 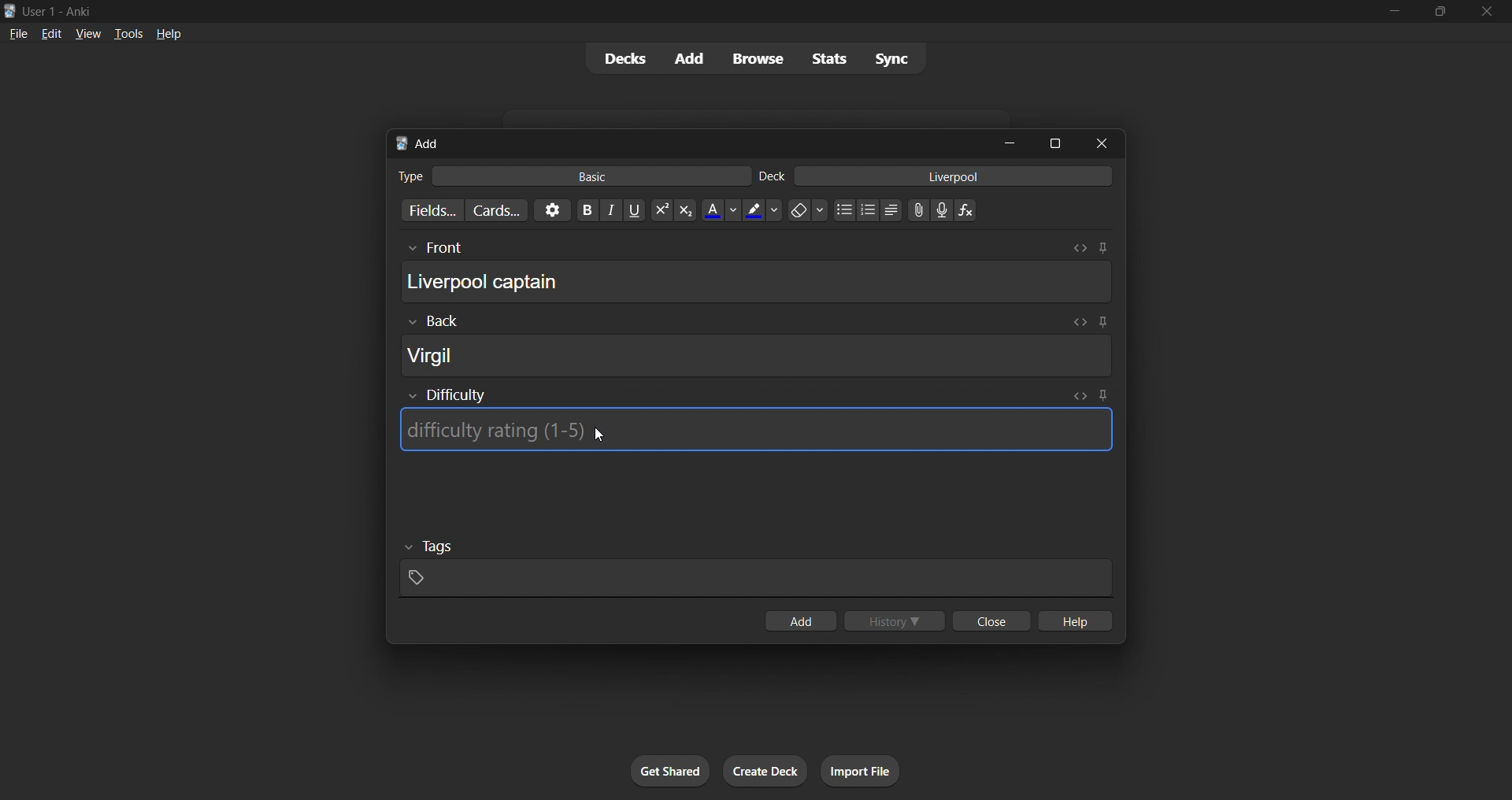 I want to click on Underline, so click(x=634, y=210).